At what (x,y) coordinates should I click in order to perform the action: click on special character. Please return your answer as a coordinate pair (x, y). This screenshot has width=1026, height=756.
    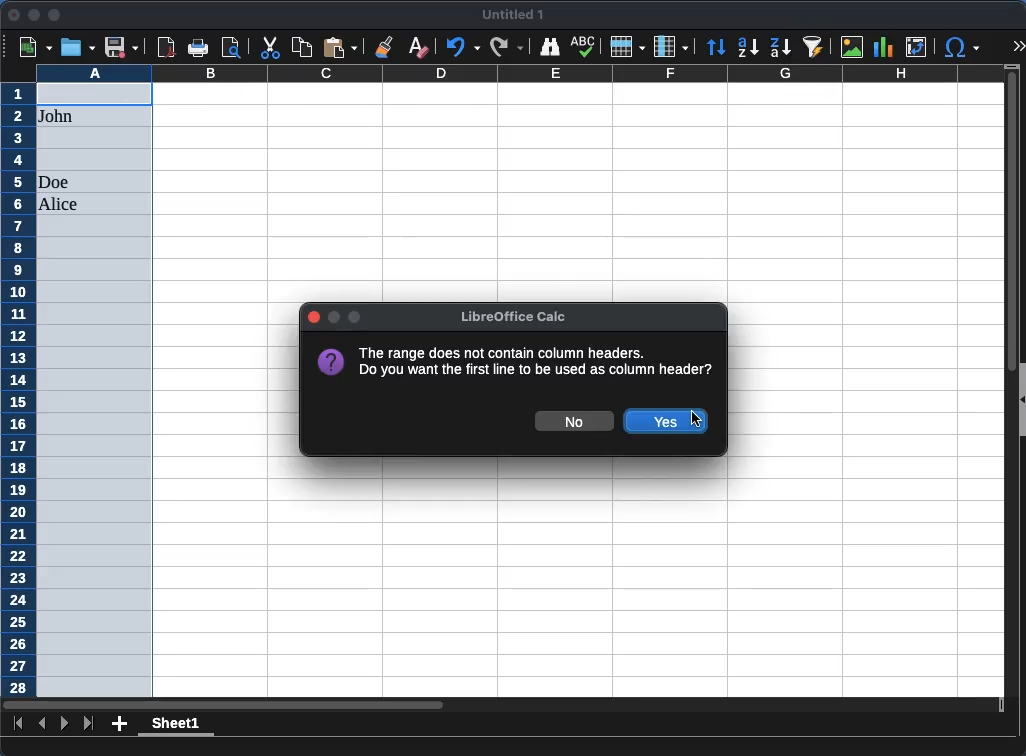
    Looking at the image, I should click on (961, 49).